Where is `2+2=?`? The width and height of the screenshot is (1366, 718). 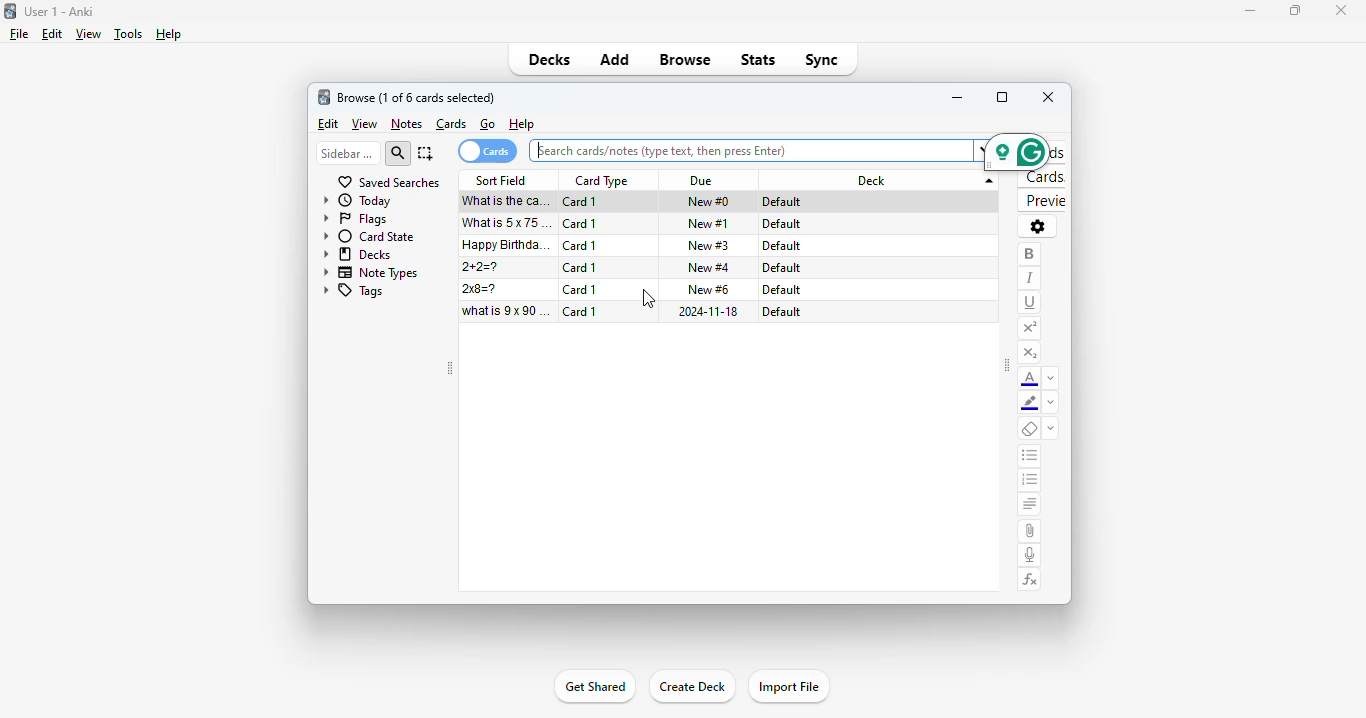 2+2=? is located at coordinates (482, 267).